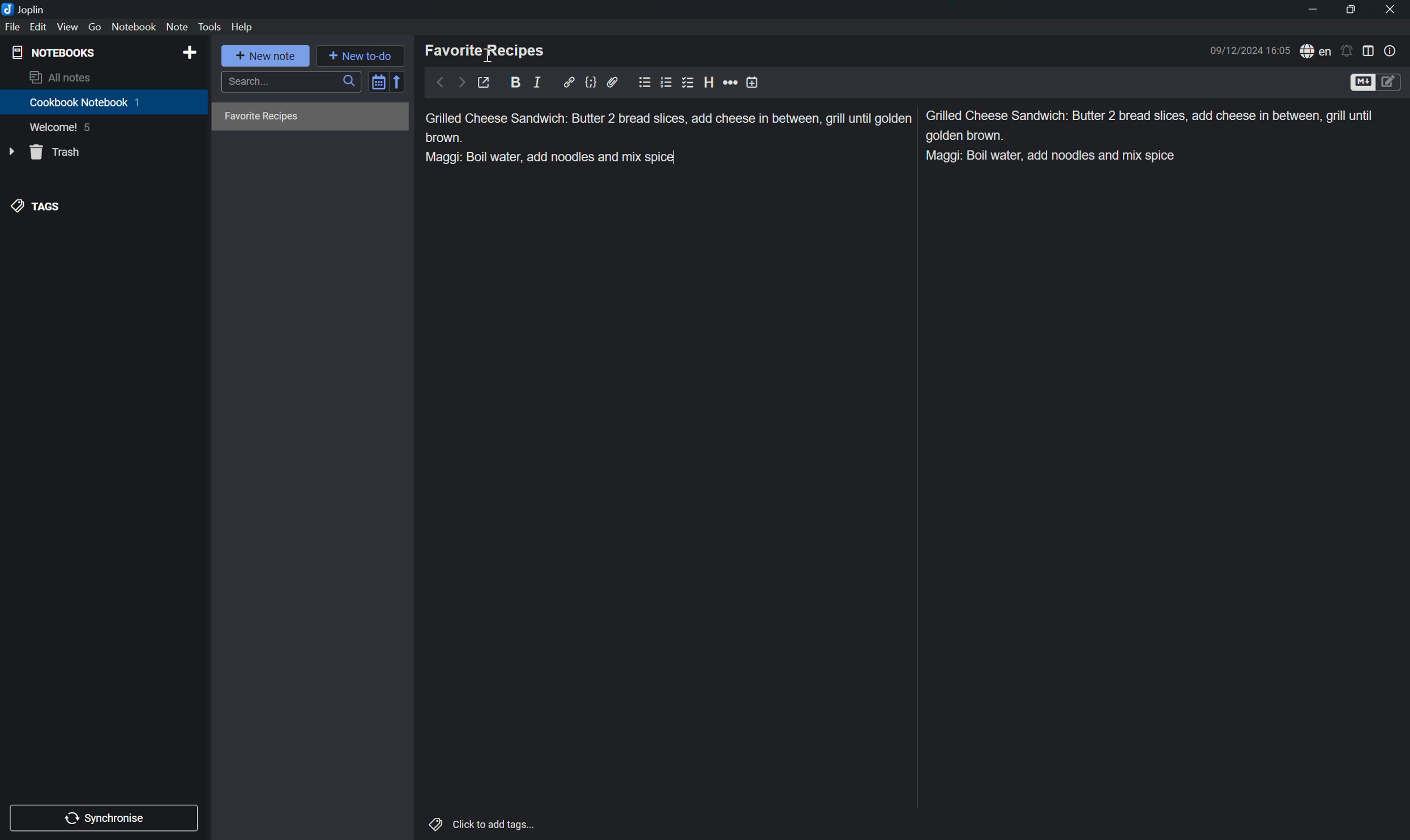 This screenshot has width=1410, height=840. I want to click on Toggle sort order field, so click(377, 84).